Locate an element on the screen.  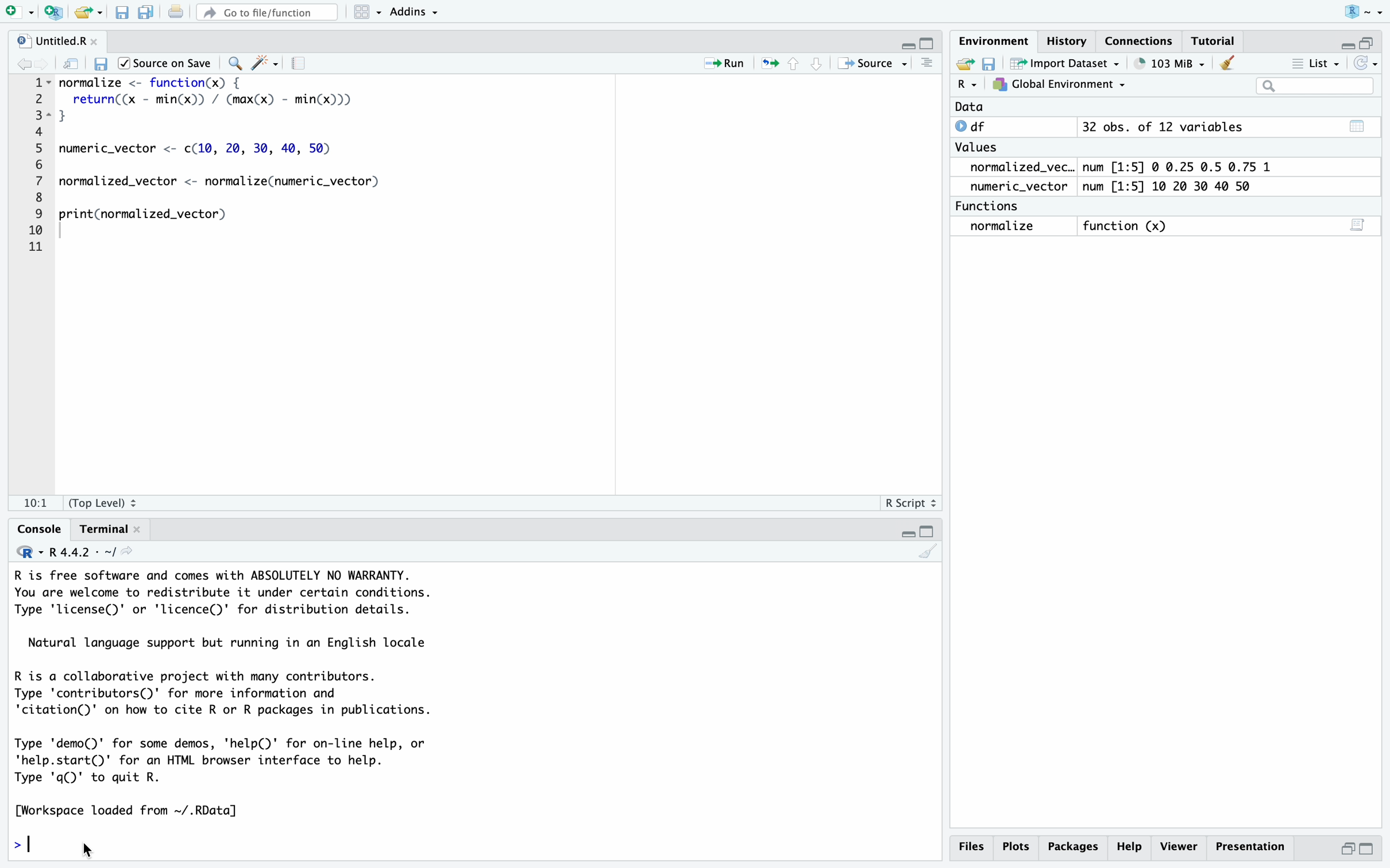
minimize is located at coordinates (1344, 43).